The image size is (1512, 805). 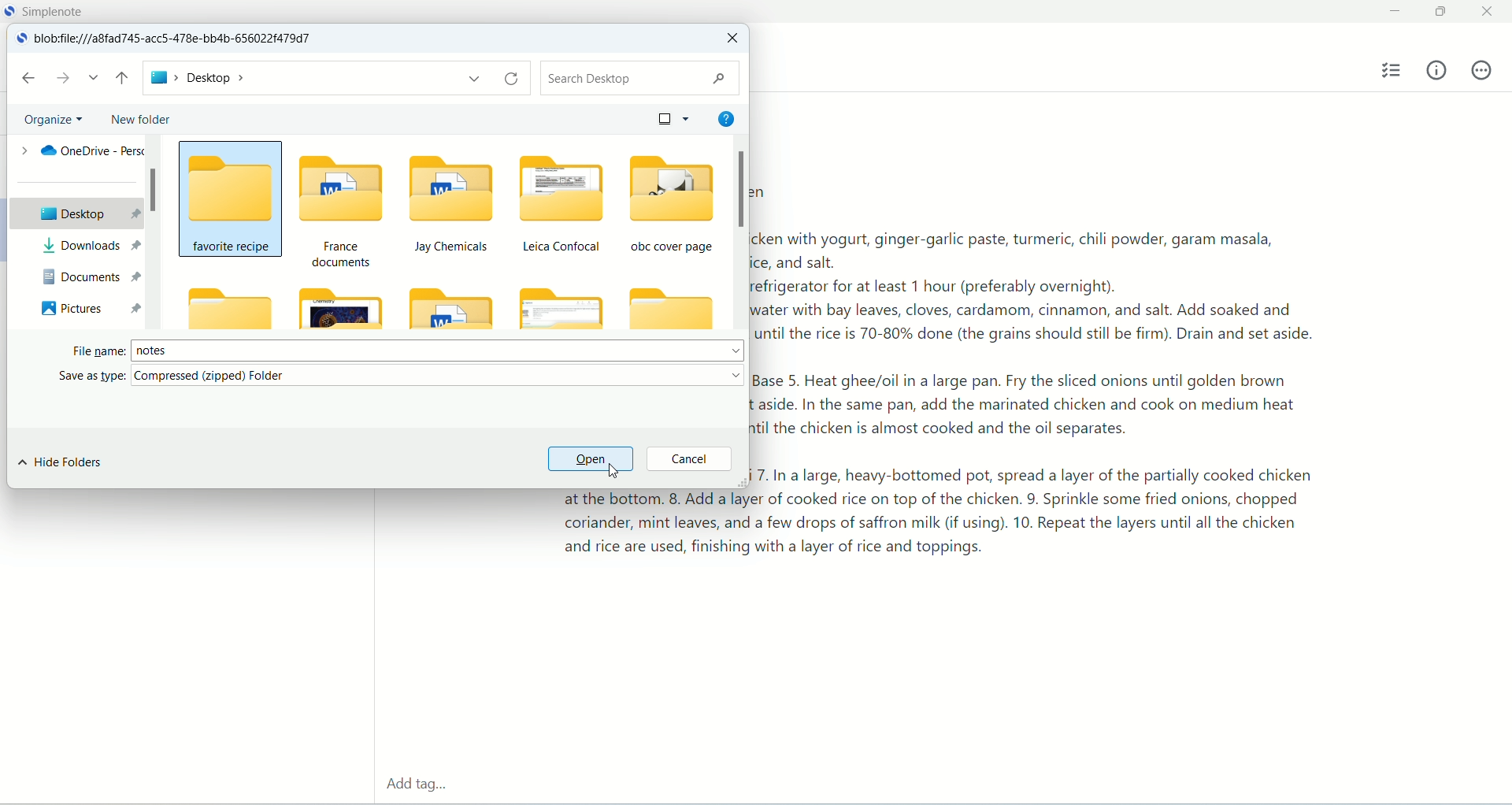 What do you see at coordinates (87, 246) in the screenshot?
I see `downloads` at bounding box center [87, 246].